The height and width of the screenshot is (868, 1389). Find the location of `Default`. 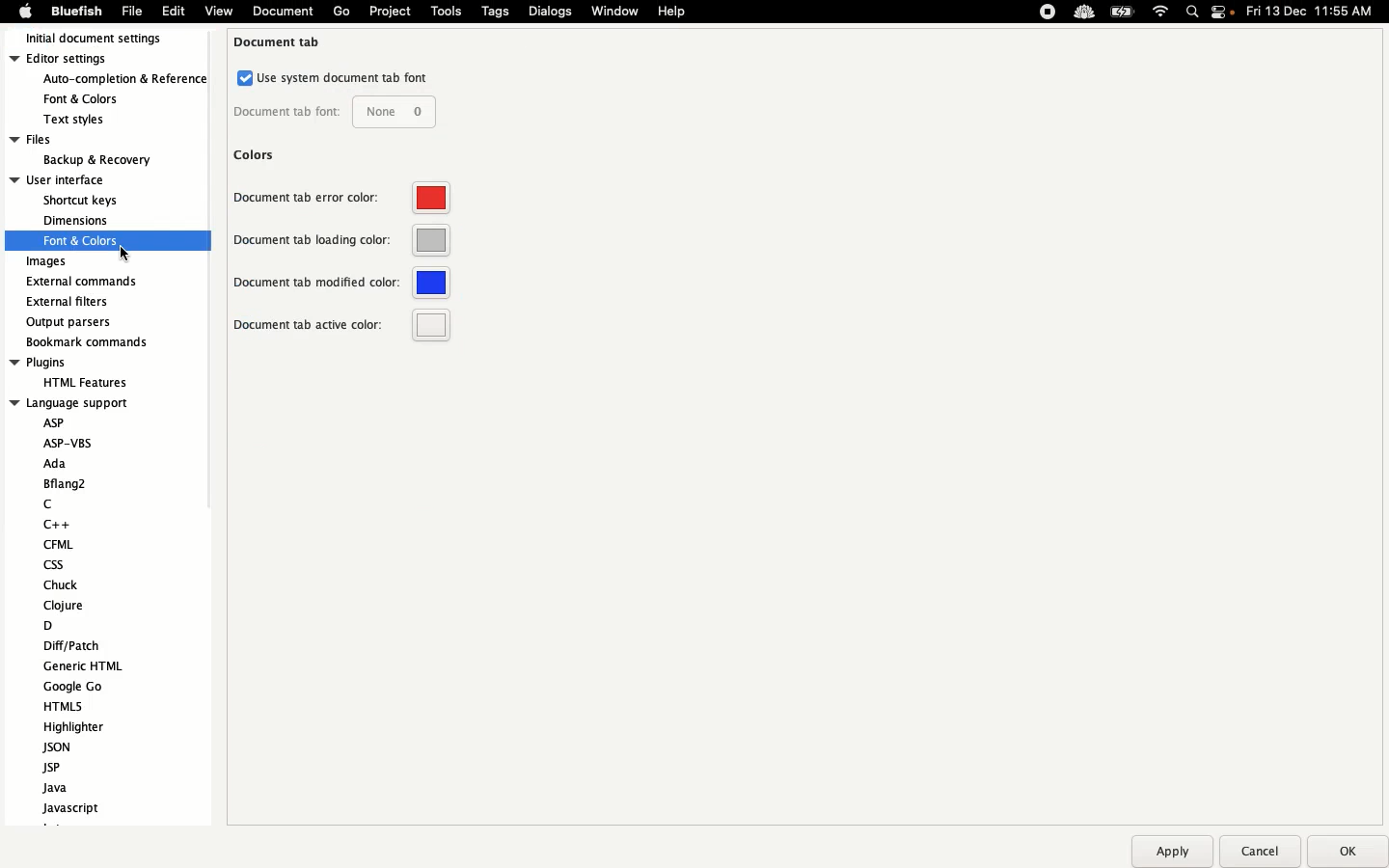

Default is located at coordinates (437, 196).